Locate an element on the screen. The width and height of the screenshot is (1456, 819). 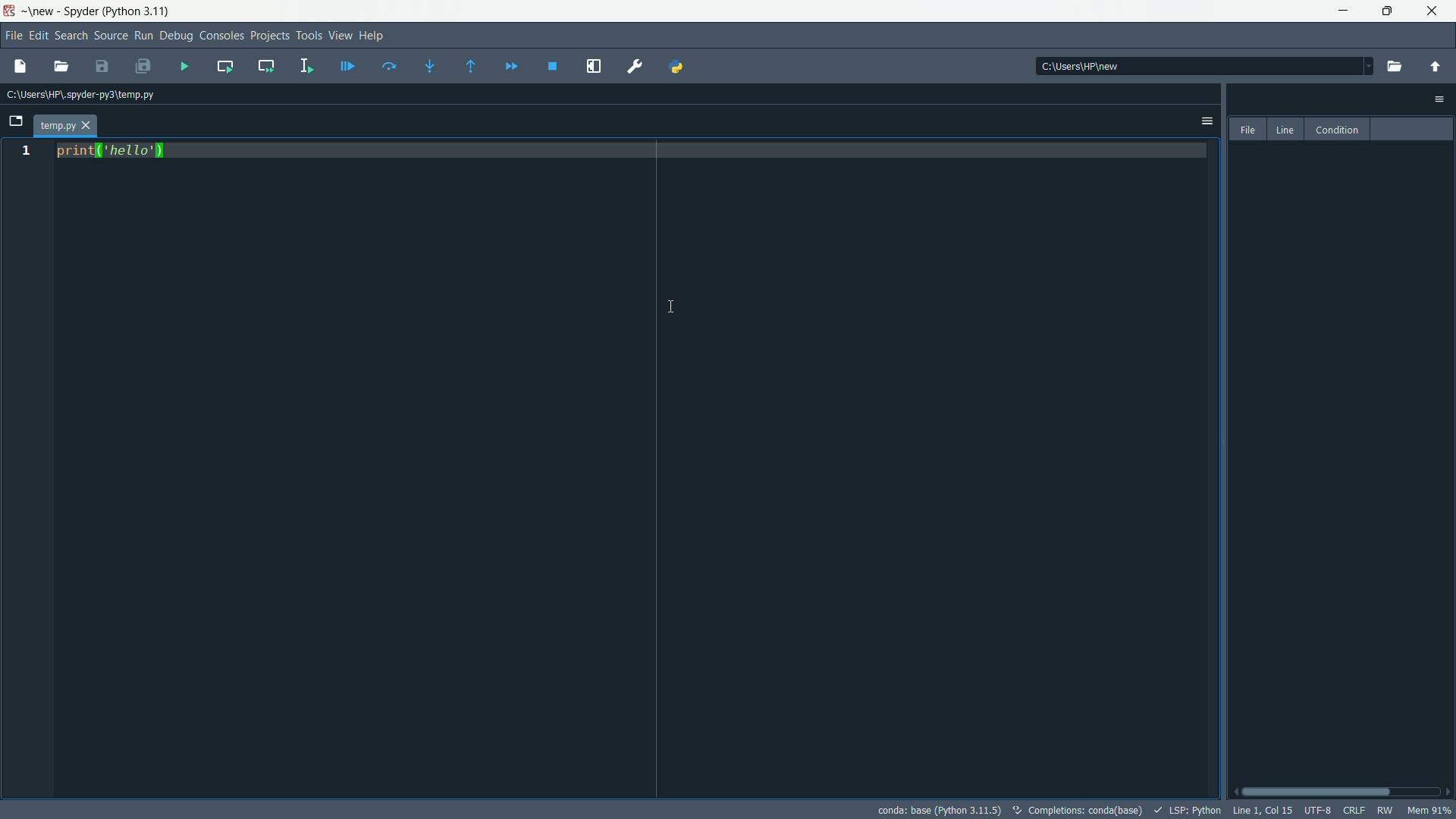
debug file is located at coordinates (347, 67).